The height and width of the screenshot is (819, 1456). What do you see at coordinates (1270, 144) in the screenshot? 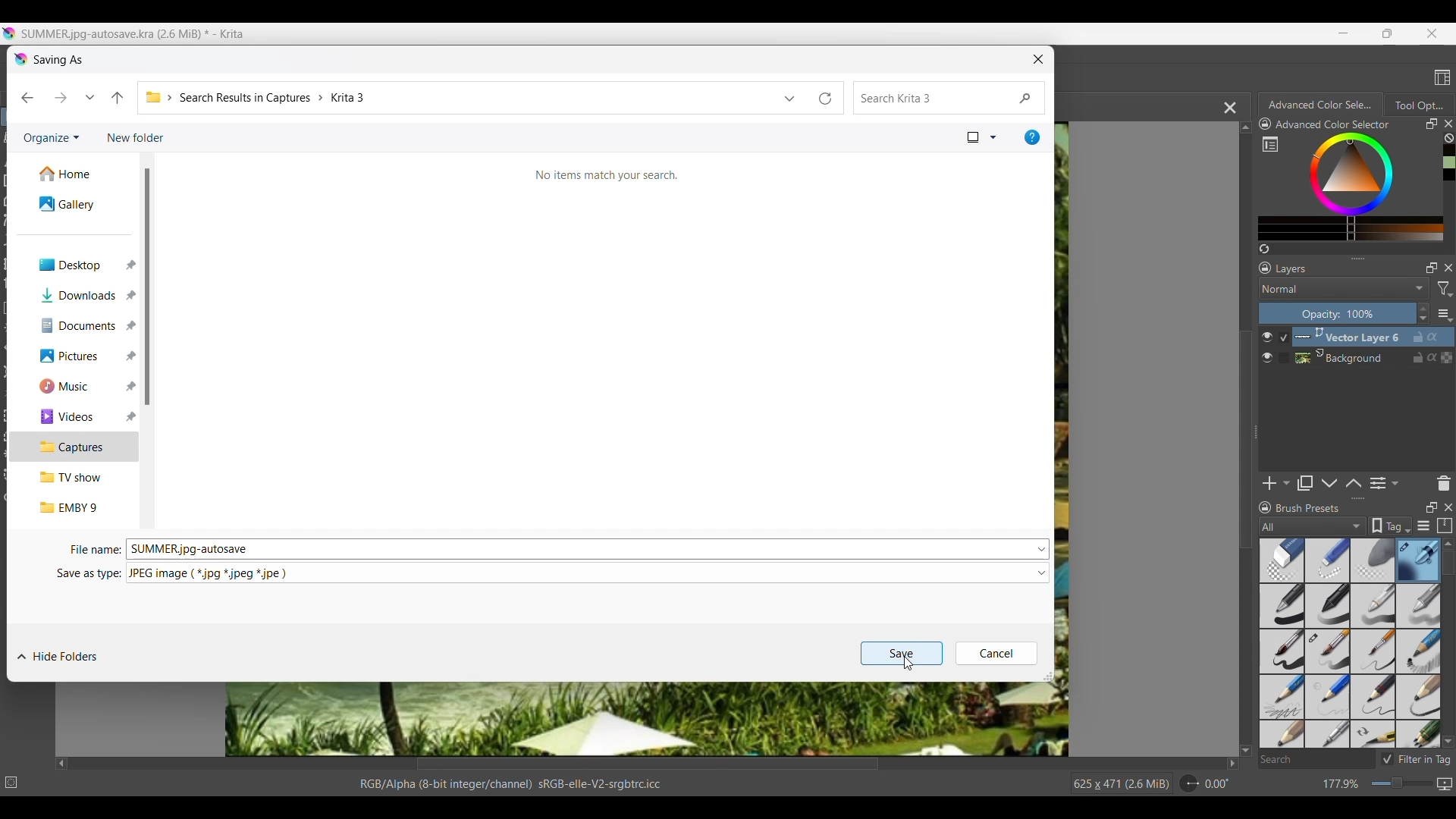
I see `Show full color setting in separate window` at bounding box center [1270, 144].